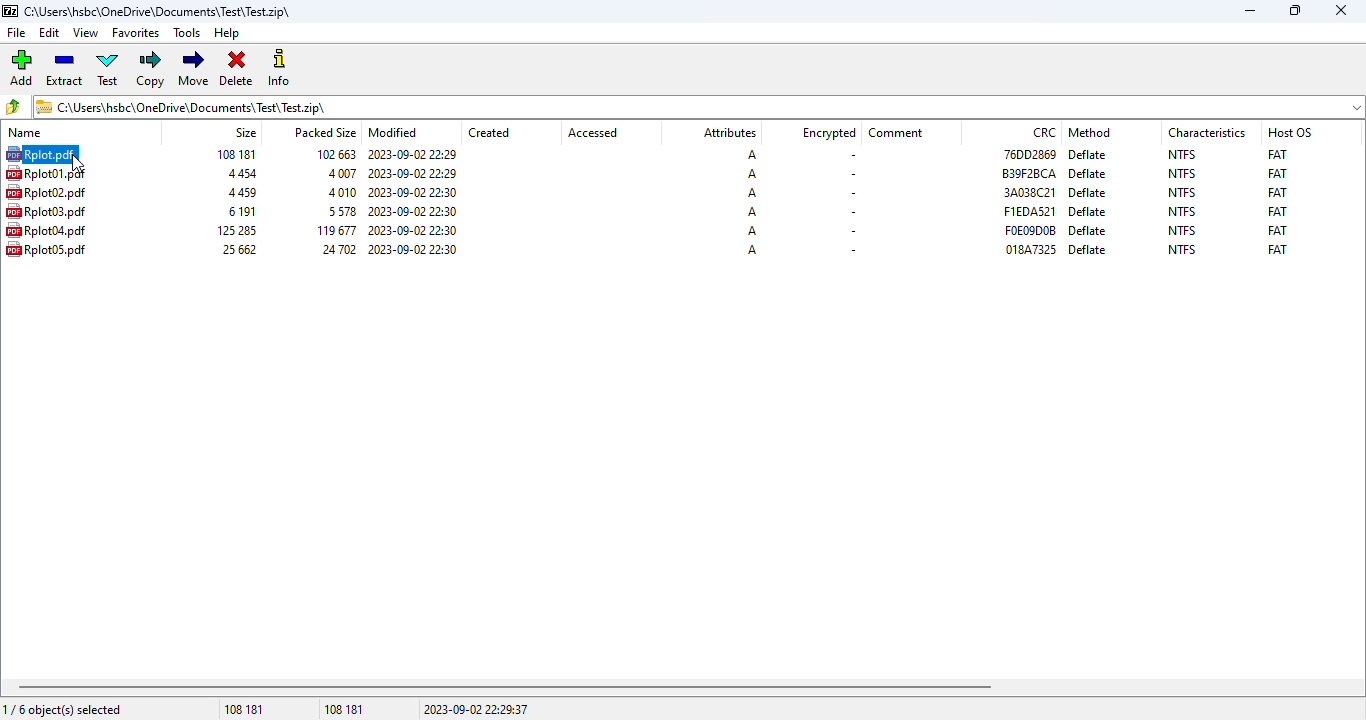 This screenshot has width=1366, height=720. I want to click on deflate, so click(1089, 154).